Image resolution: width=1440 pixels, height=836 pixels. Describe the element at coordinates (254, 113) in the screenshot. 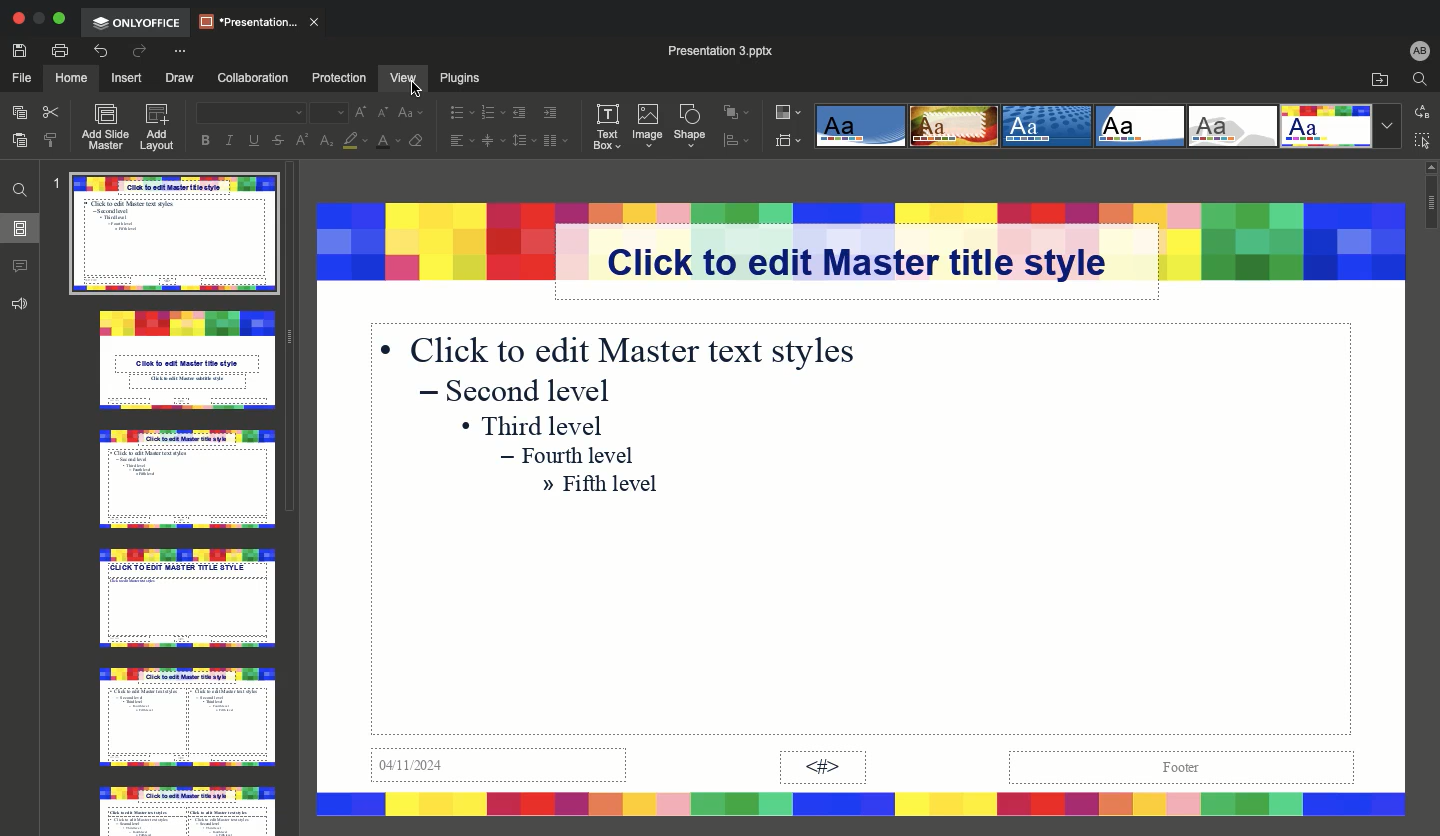

I see `Font type` at that location.